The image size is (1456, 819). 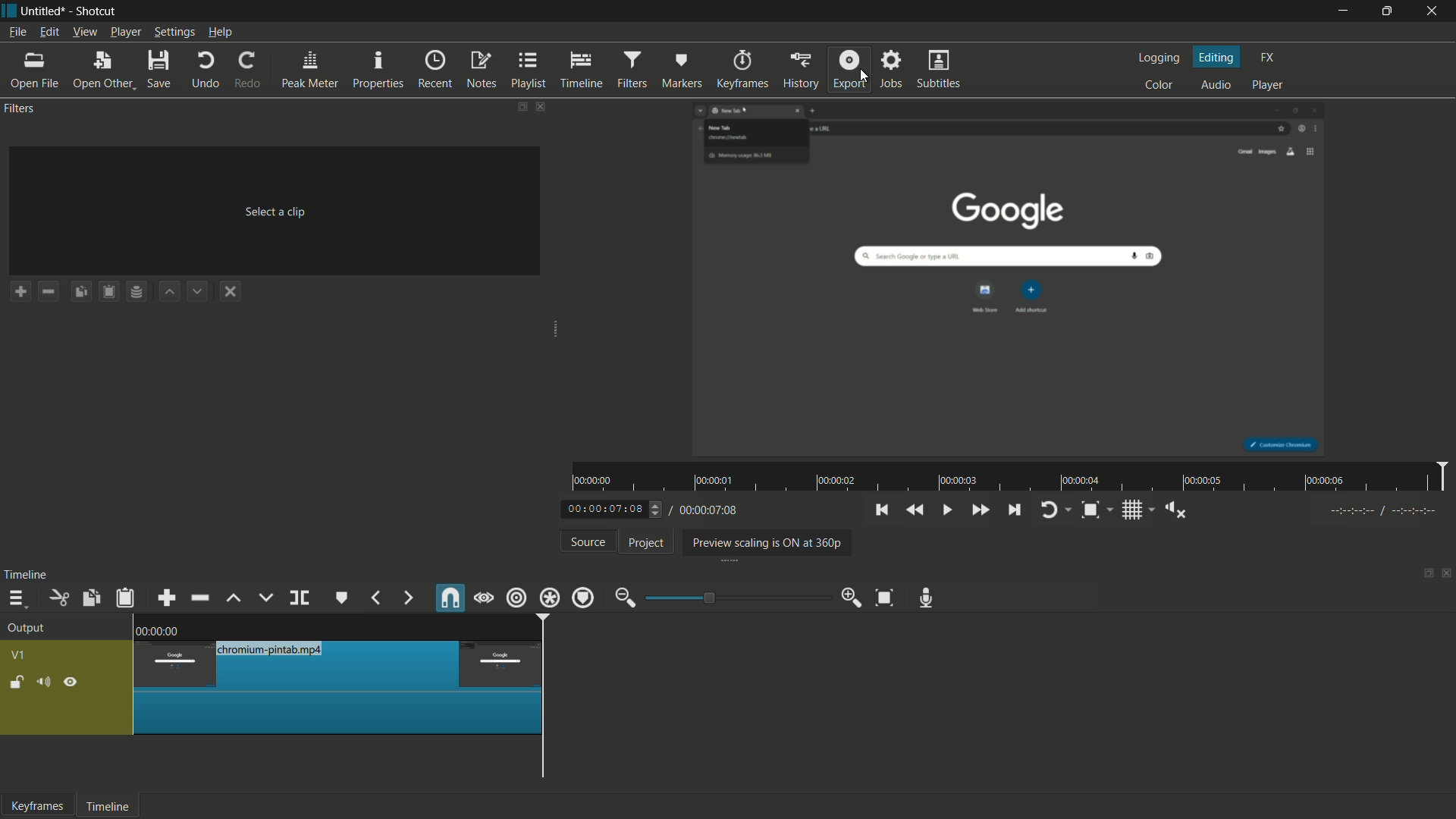 I want to click on player menu, so click(x=127, y=31).